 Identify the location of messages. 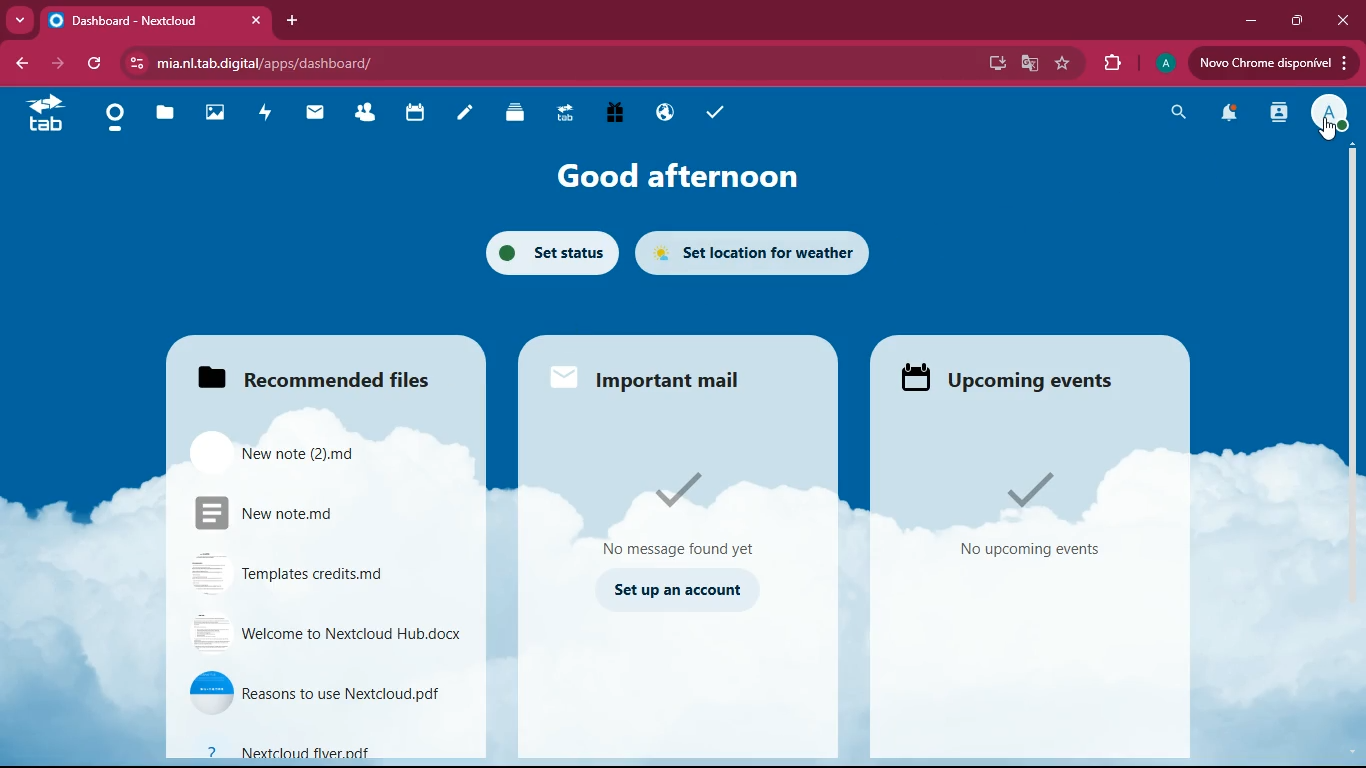
(686, 515).